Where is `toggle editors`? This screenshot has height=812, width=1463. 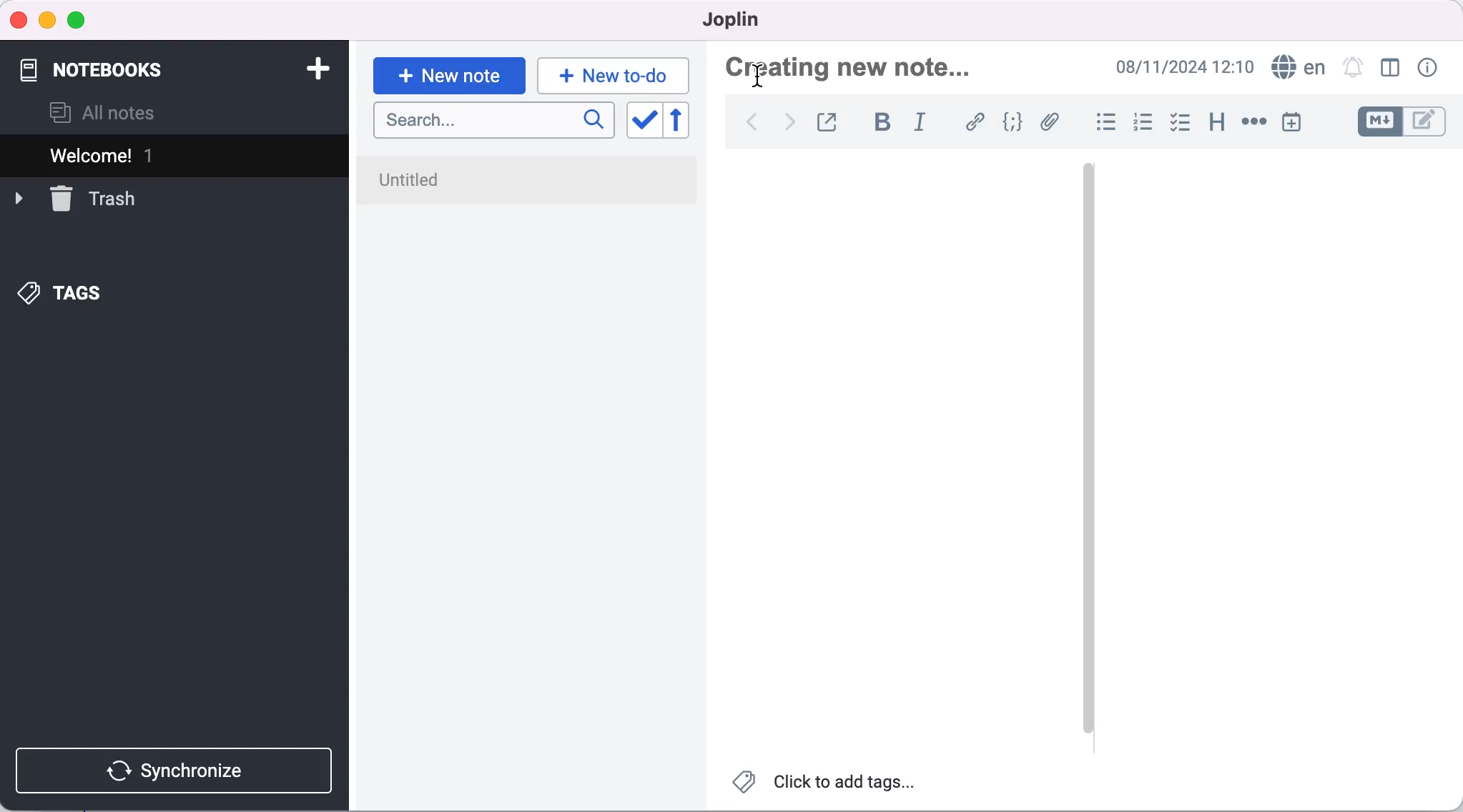
toggle editors is located at coordinates (1407, 124).